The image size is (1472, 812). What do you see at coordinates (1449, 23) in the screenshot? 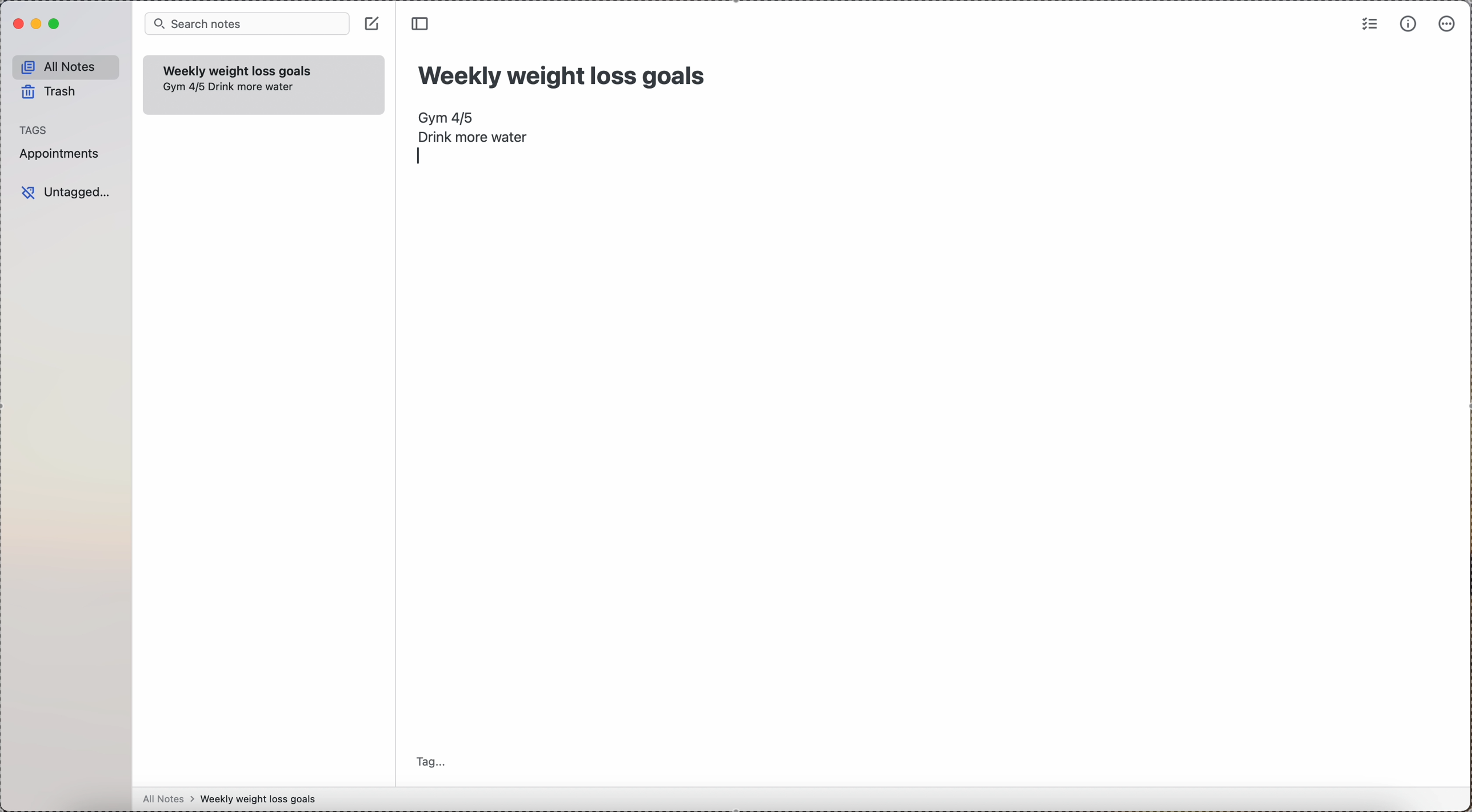
I see `more options` at bounding box center [1449, 23].